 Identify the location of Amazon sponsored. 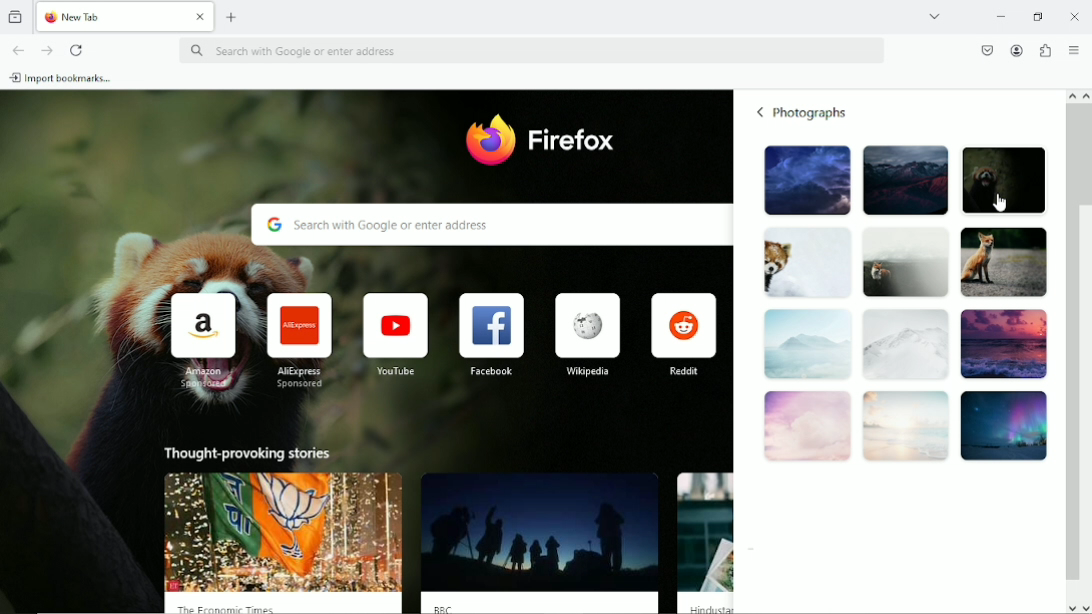
(199, 340).